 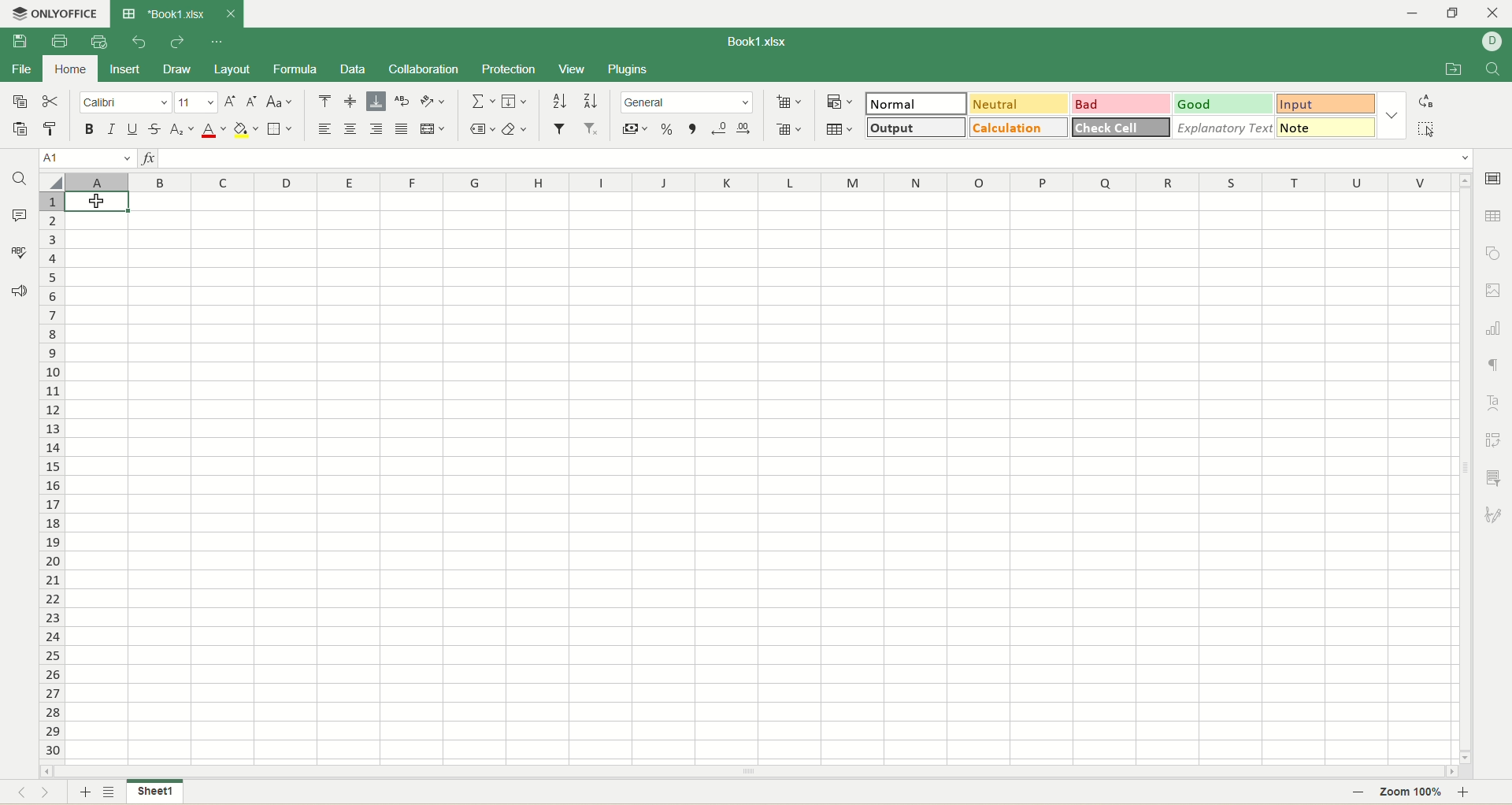 I want to click on bold, so click(x=90, y=128).